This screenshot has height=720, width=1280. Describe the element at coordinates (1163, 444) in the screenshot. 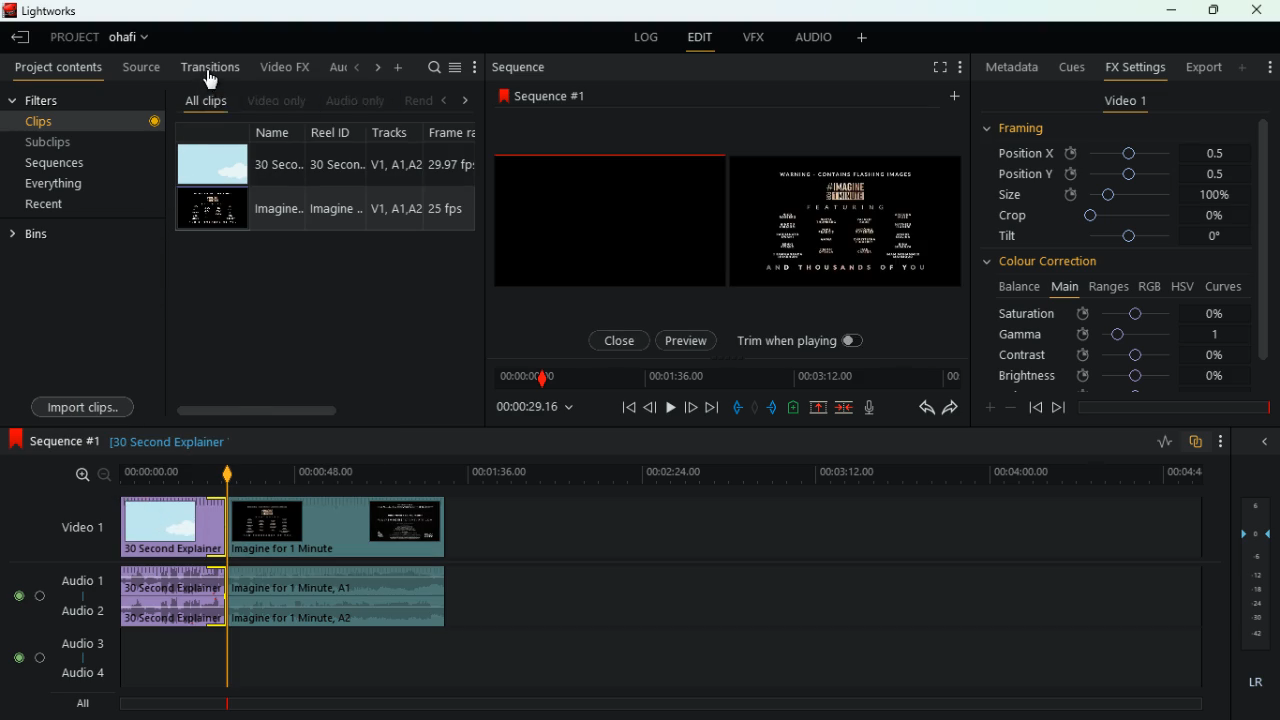

I see `rate` at that location.